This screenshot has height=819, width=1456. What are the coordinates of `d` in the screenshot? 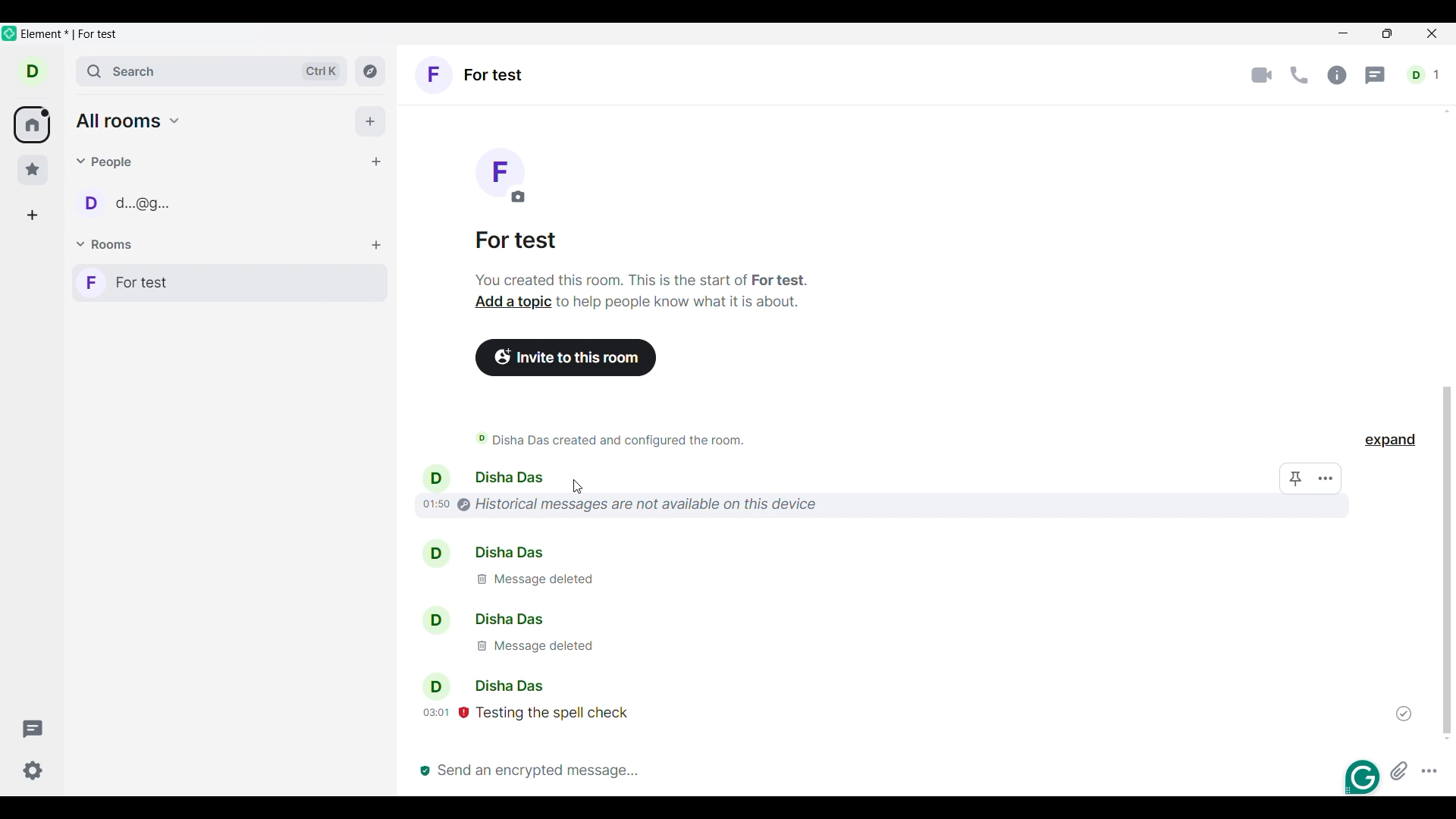 It's located at (33, 71).